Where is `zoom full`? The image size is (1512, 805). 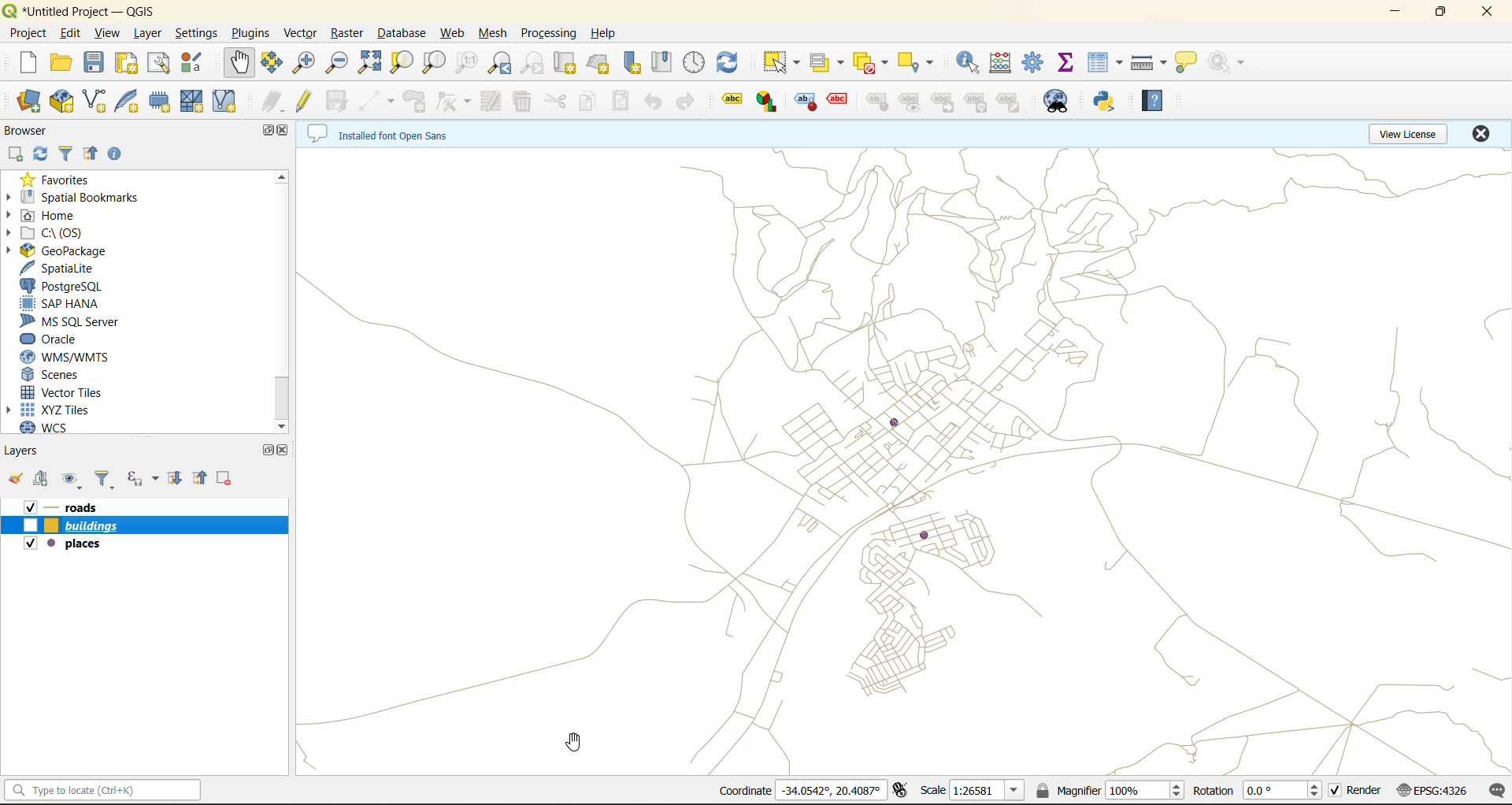
zoom full is located at coordinates (373, 63).